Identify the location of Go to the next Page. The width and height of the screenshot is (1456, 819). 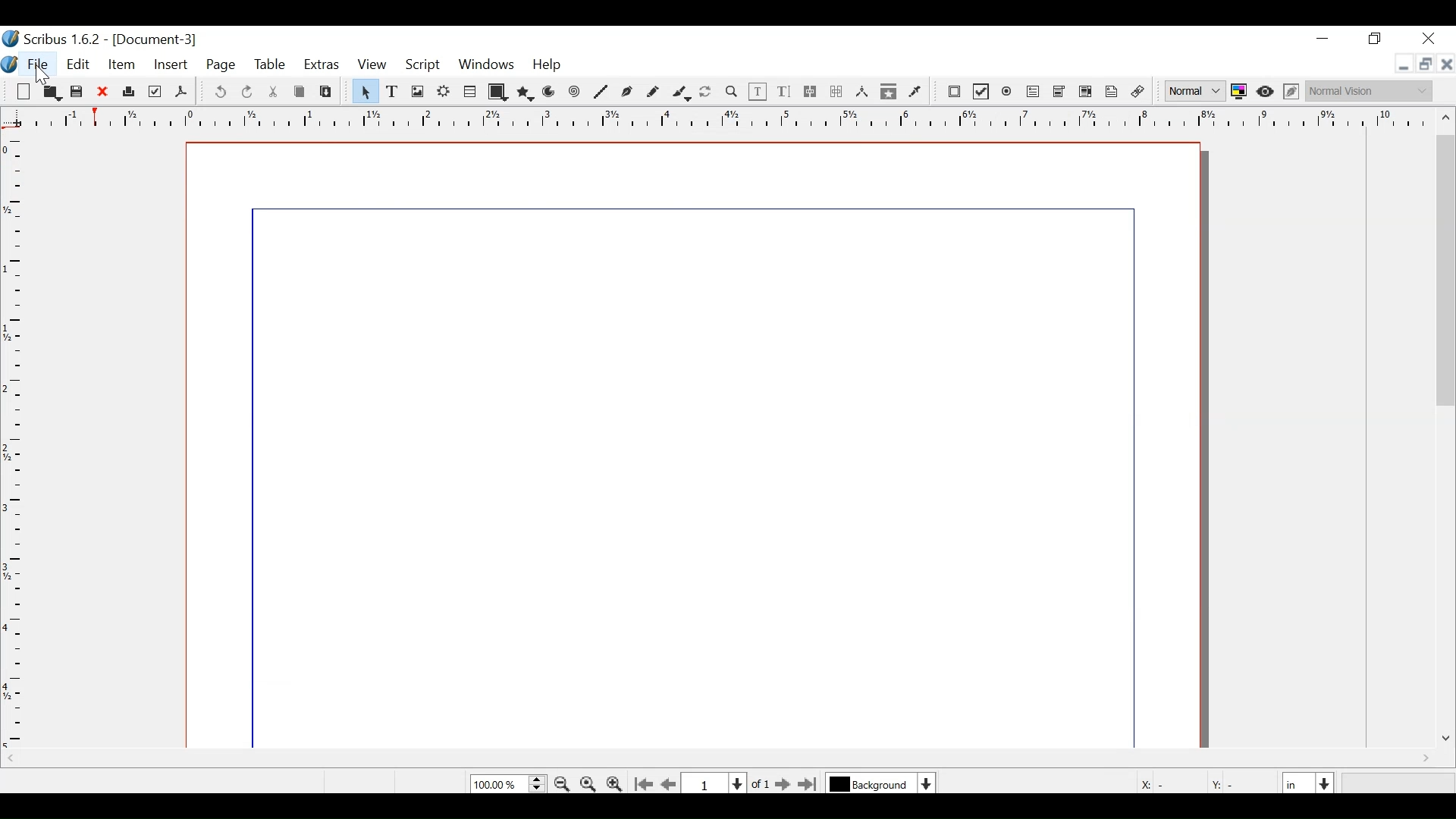
(779, 784).